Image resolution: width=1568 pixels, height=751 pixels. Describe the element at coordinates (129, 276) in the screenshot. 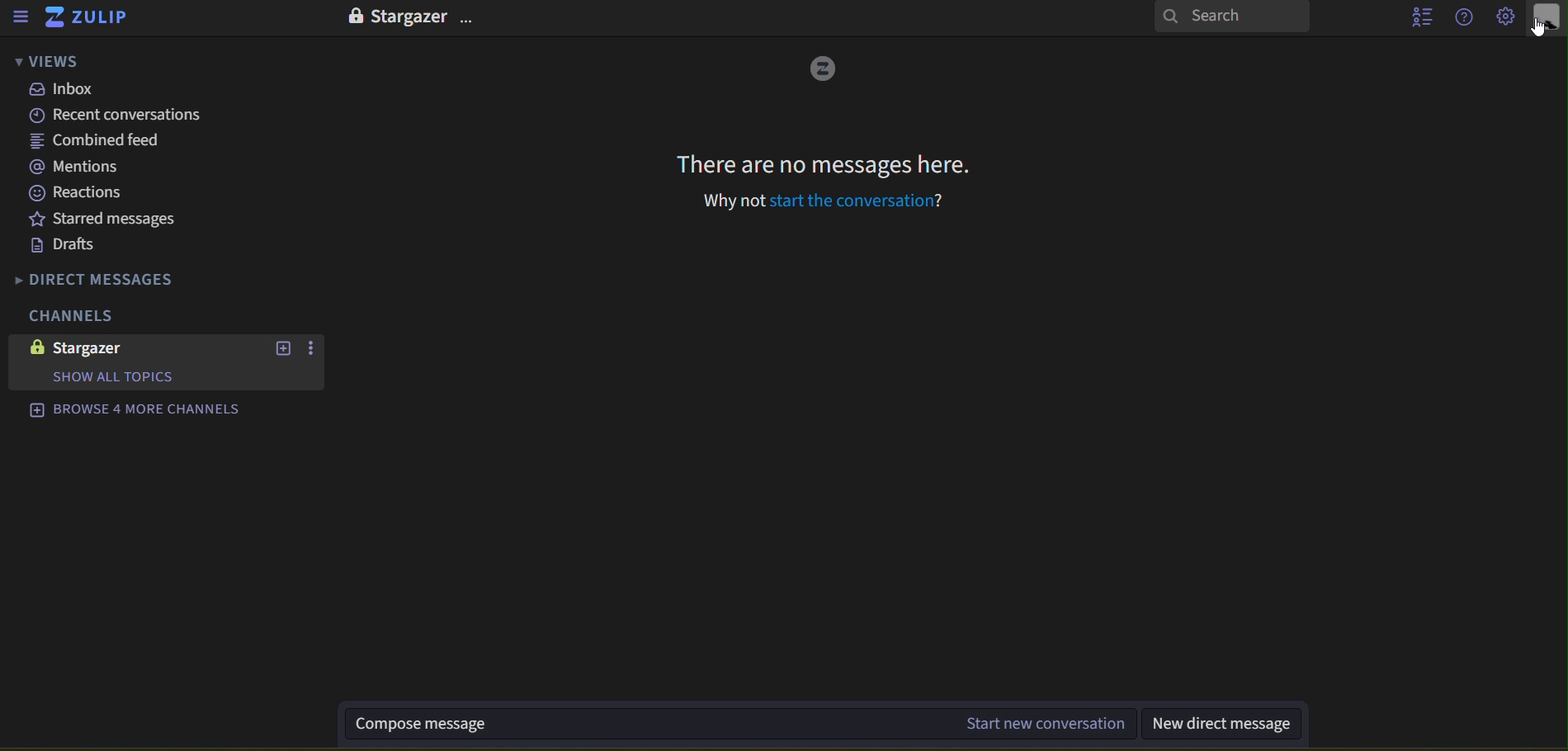

I see `direct messages` at that location.